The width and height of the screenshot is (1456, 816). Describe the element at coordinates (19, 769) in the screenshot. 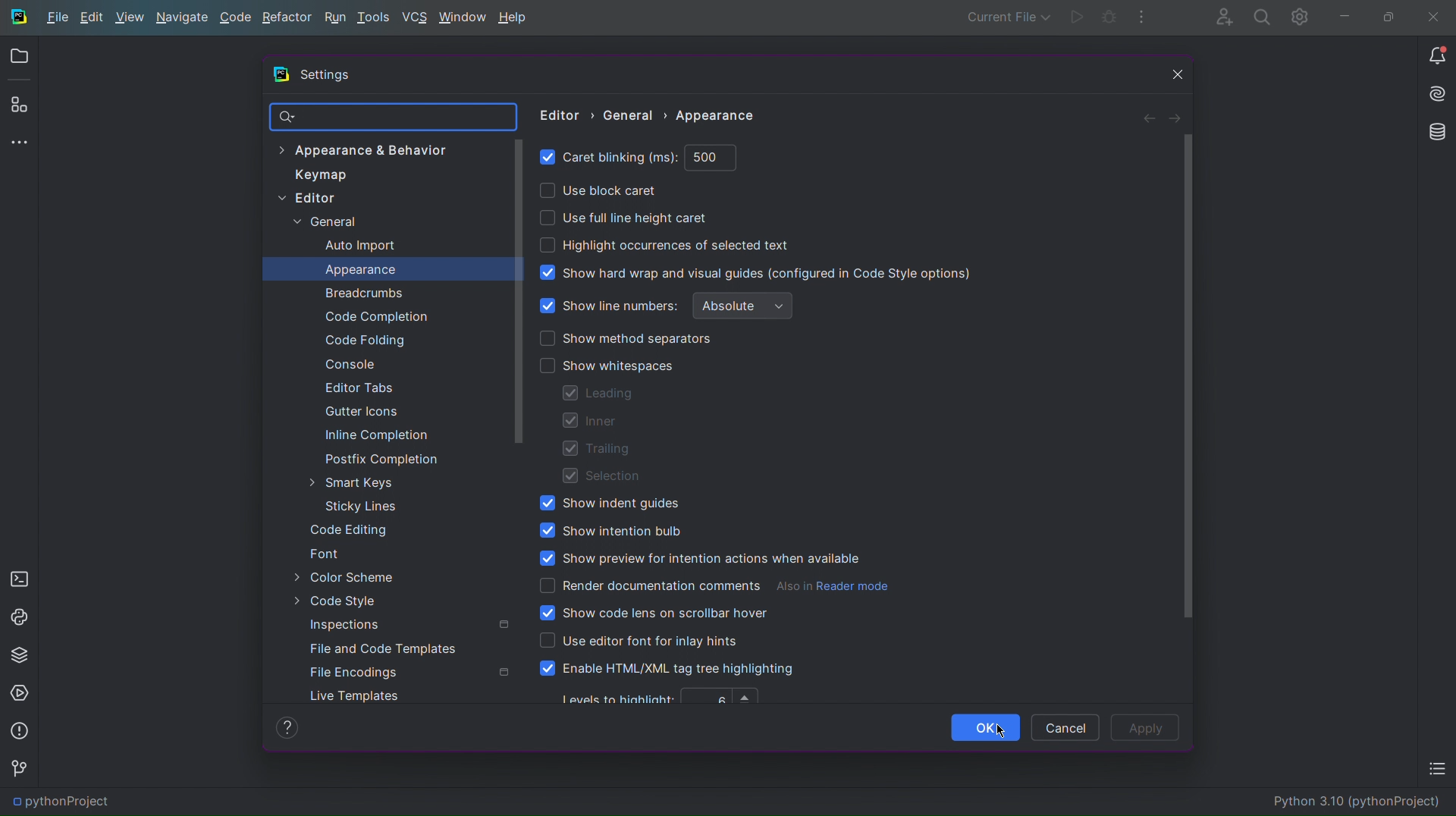

I see `Version Control` at that location.